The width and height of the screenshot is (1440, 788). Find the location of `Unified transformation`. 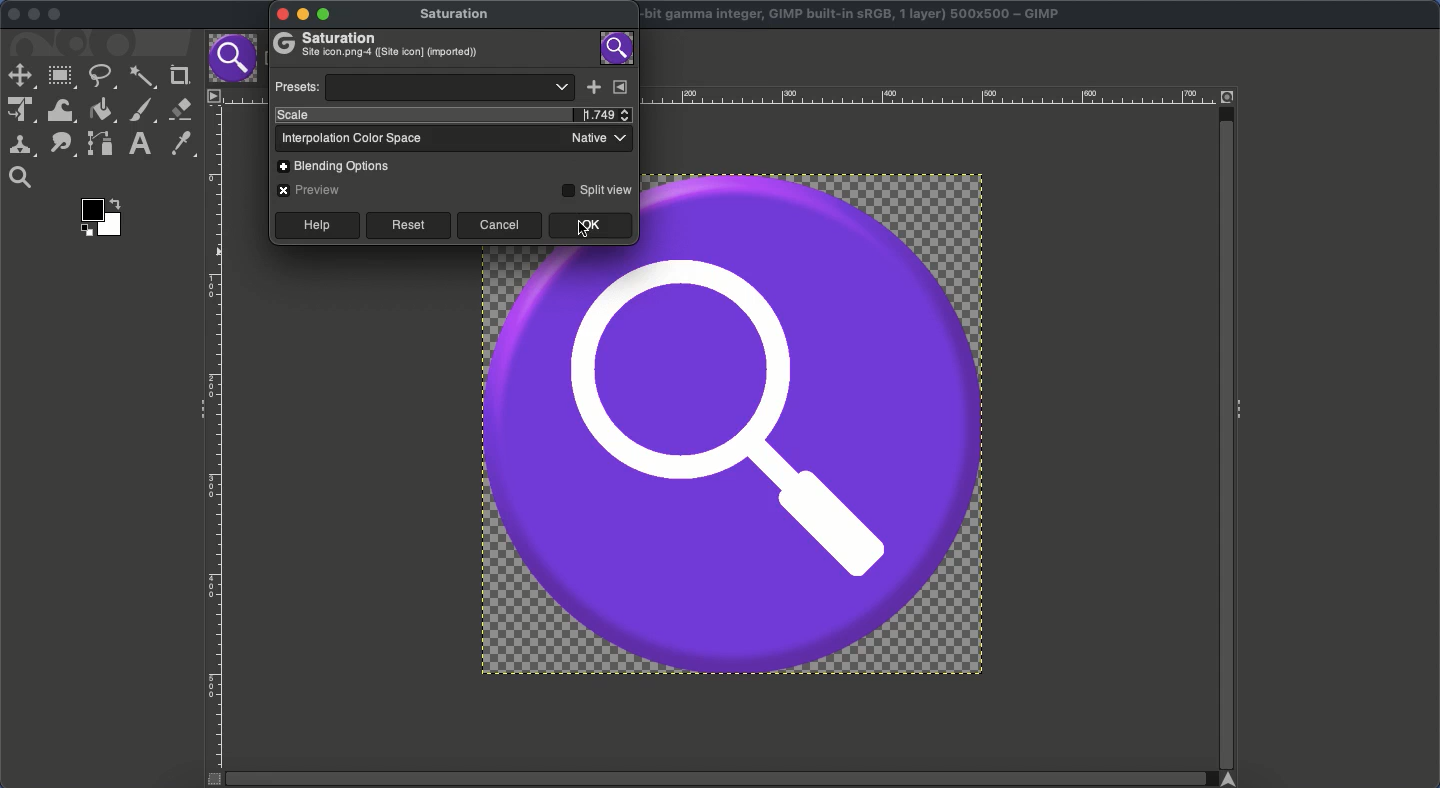

Unified transformation is located at coordinates (17, 111).